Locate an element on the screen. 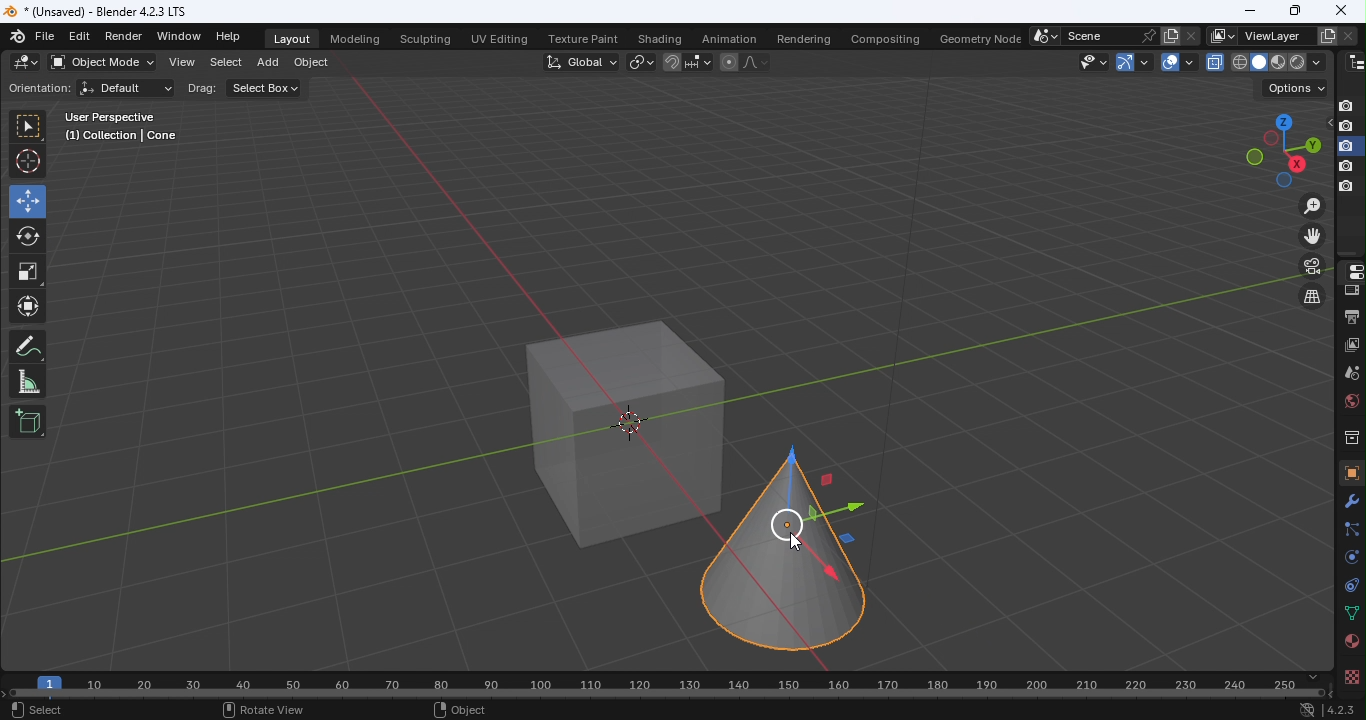  Measurement is located at coordinates (28, 383).